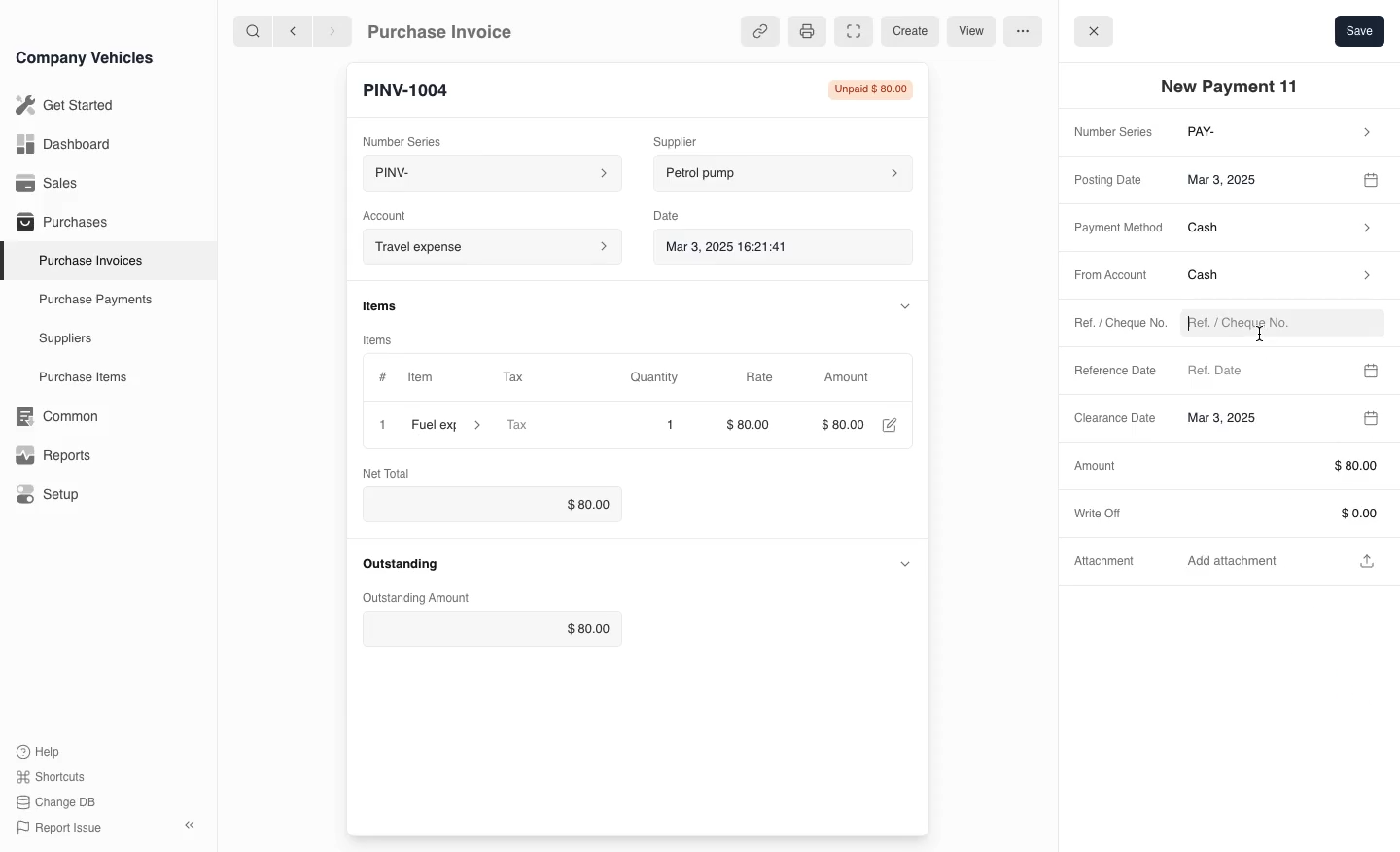 The image size is (1400, 852). What do you see at coordinates (1104, 512) in the screenshot?
I see `‘Write Off` at bounding box center [1104, 512].